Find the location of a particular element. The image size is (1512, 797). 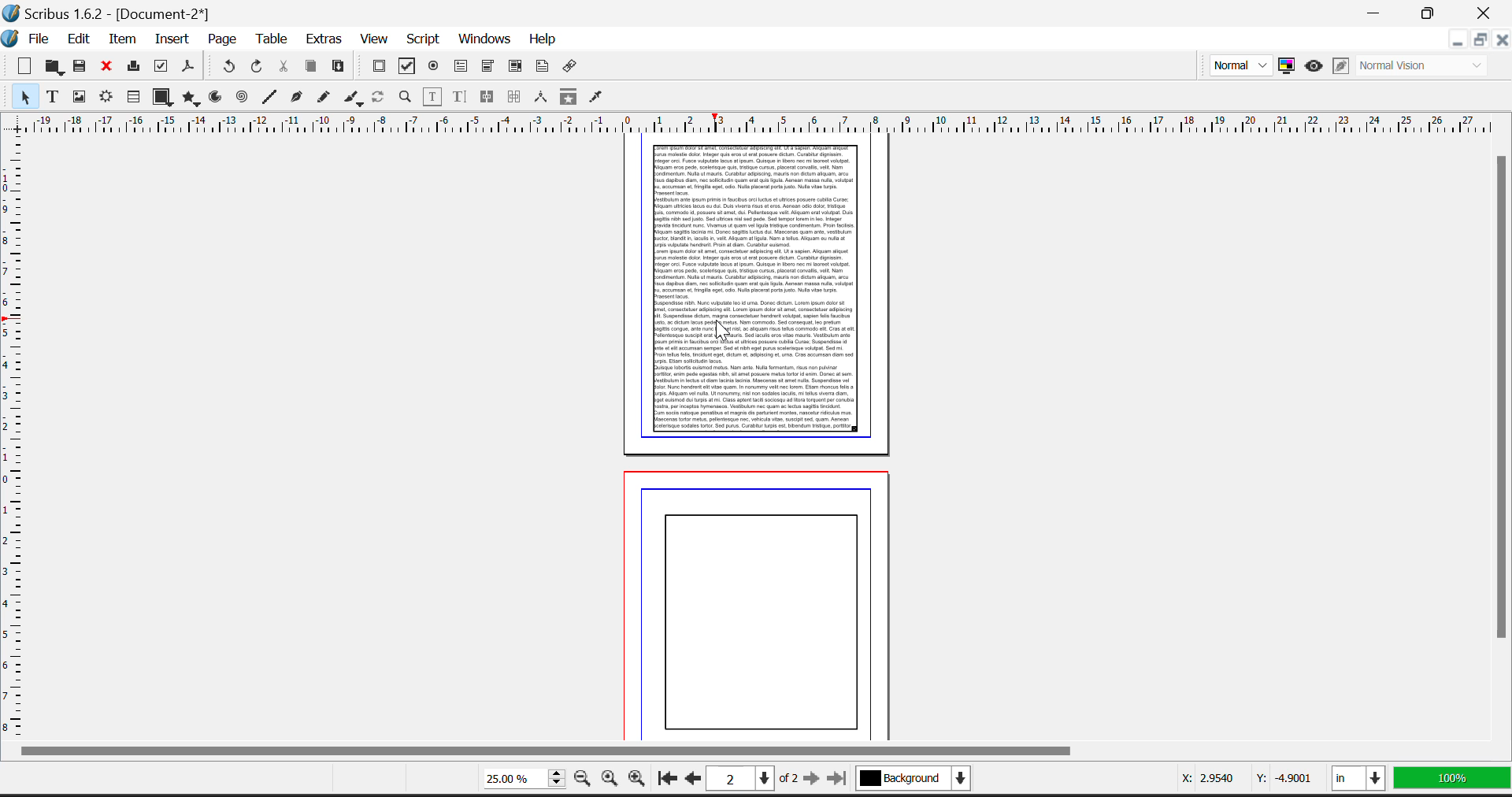

Restore Down is located at coordinates (1376, 11).